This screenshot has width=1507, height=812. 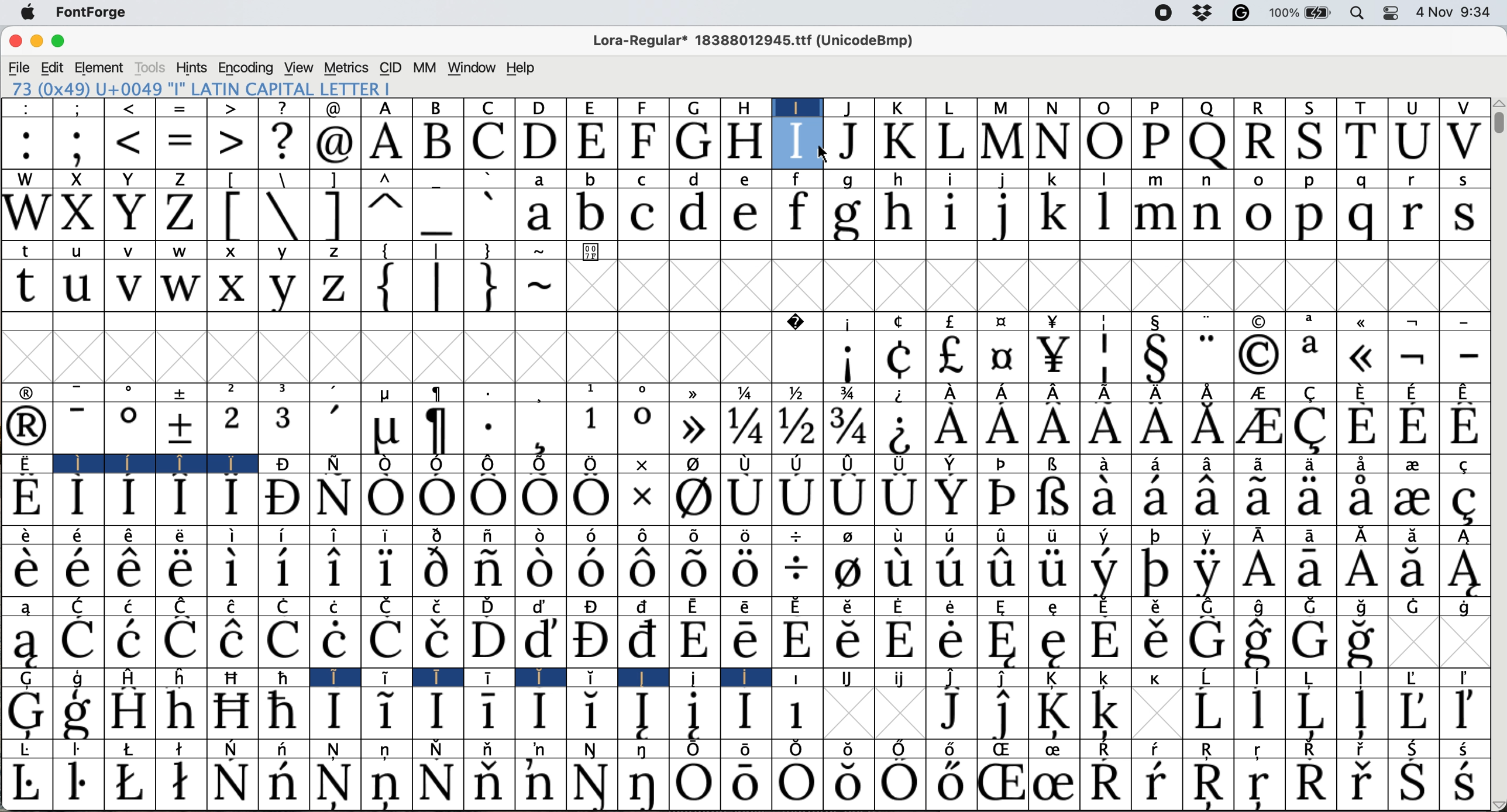 What do you see at coordinates (75, 463) in the screenshot?
I see `I` at bounding box center [75, 463].